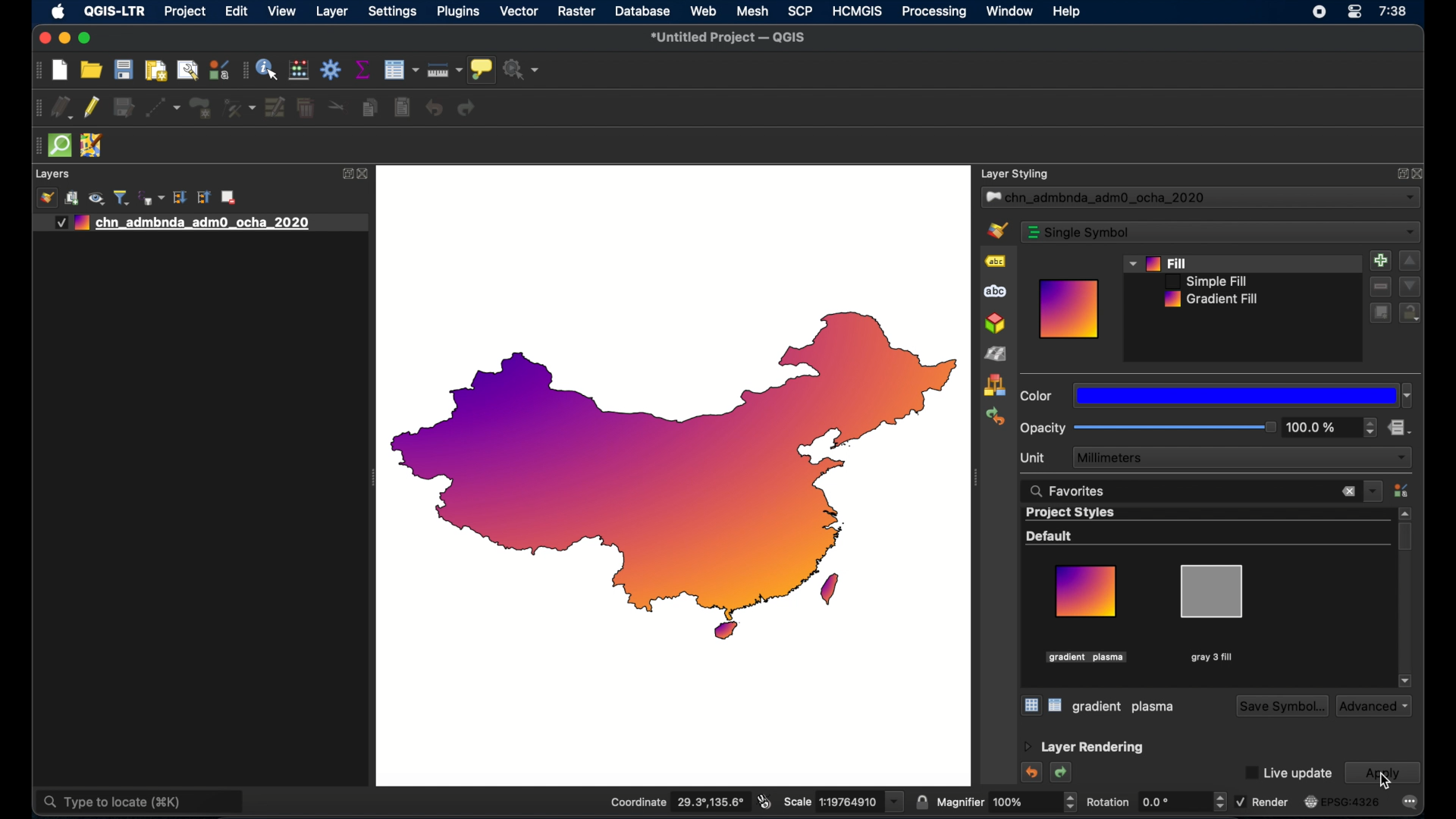 The width and height of the screenshot is (1456, 819). Describe the element at coordinates (1062, 773) in the screenshot. I see `redo` at that location.